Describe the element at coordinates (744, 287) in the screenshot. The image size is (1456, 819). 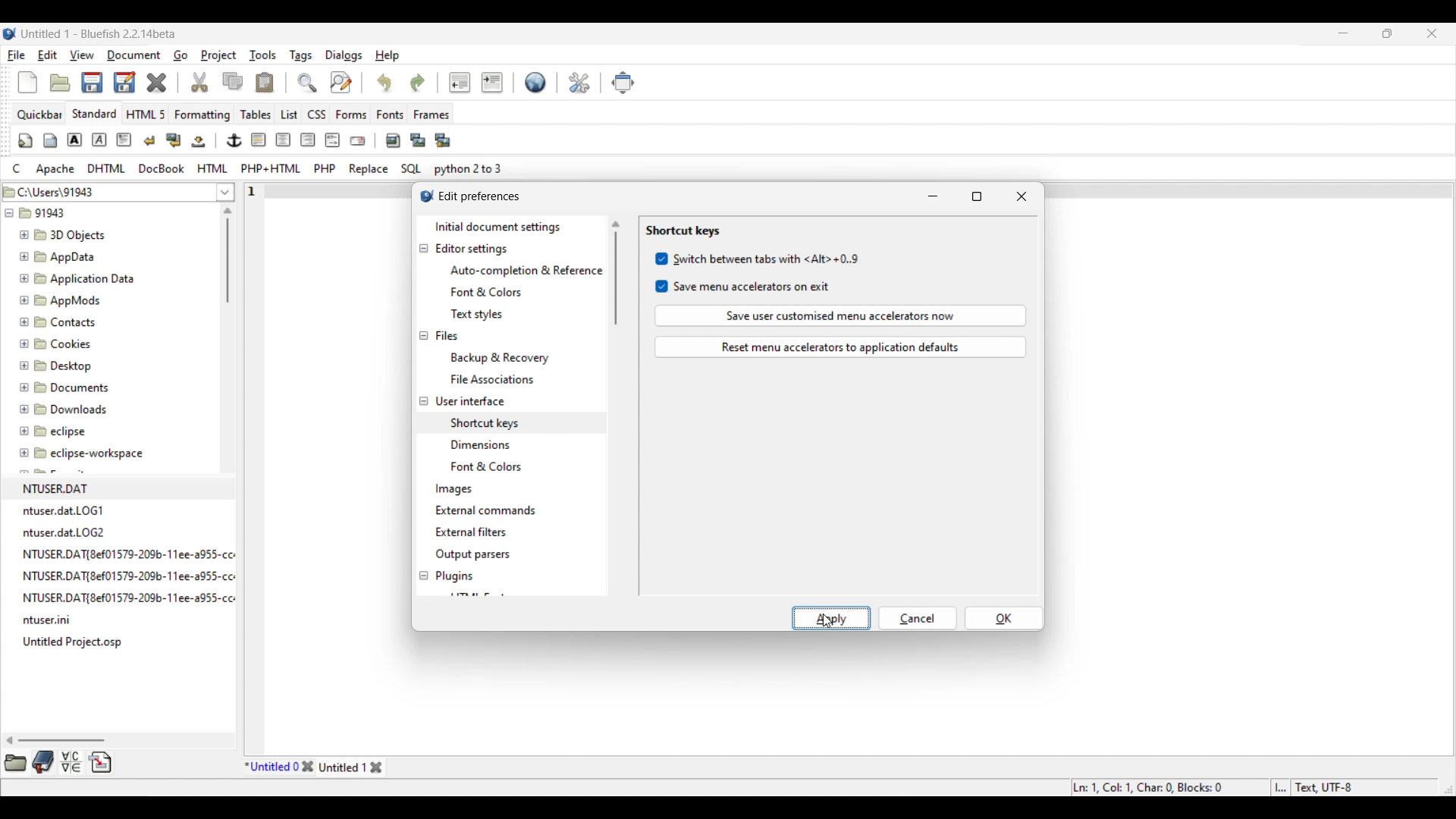
I see `Save menu accelerators on exit` at that location.